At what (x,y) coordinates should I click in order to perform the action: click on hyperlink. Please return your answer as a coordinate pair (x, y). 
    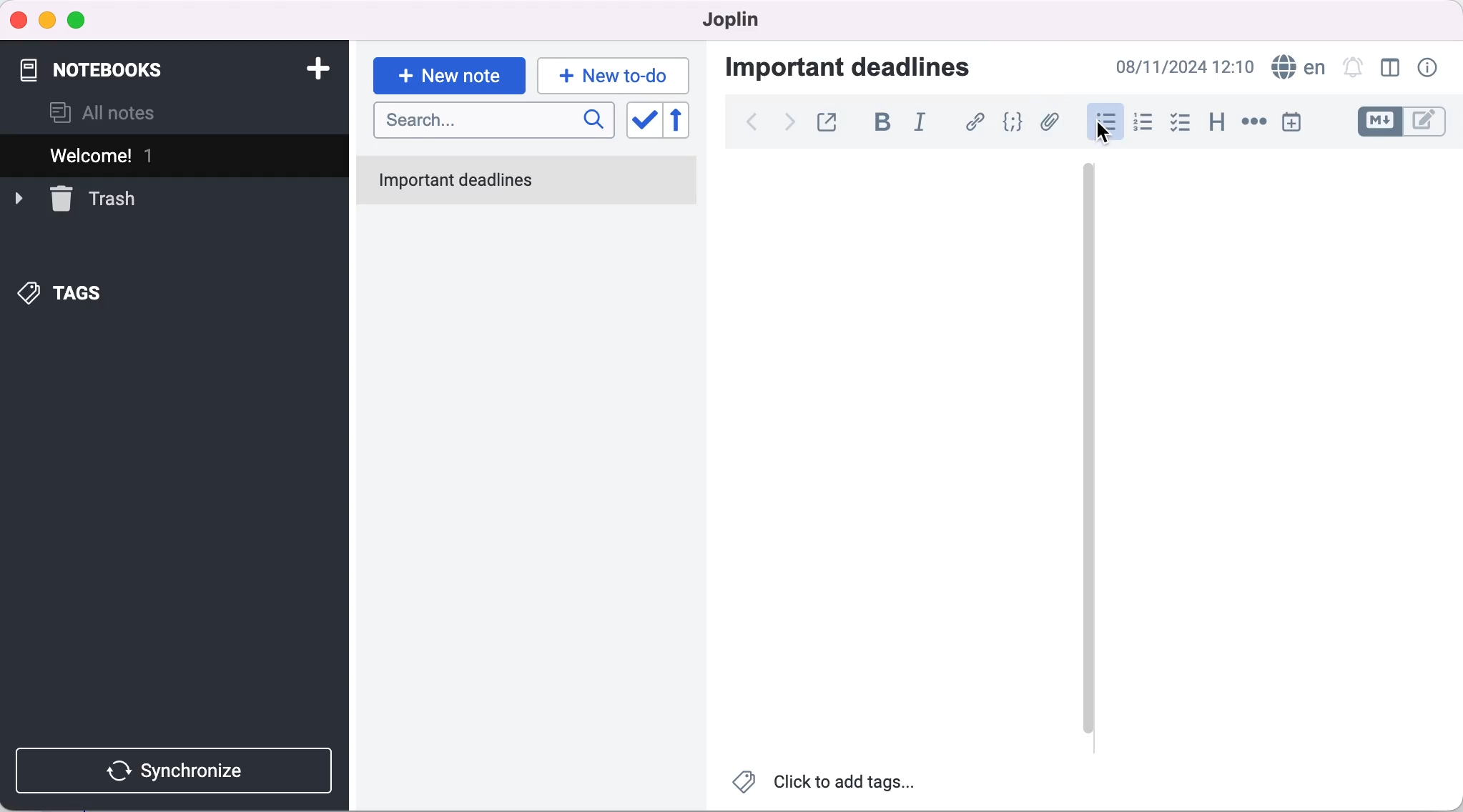
    Looking at the image, I should click on (970, 124).